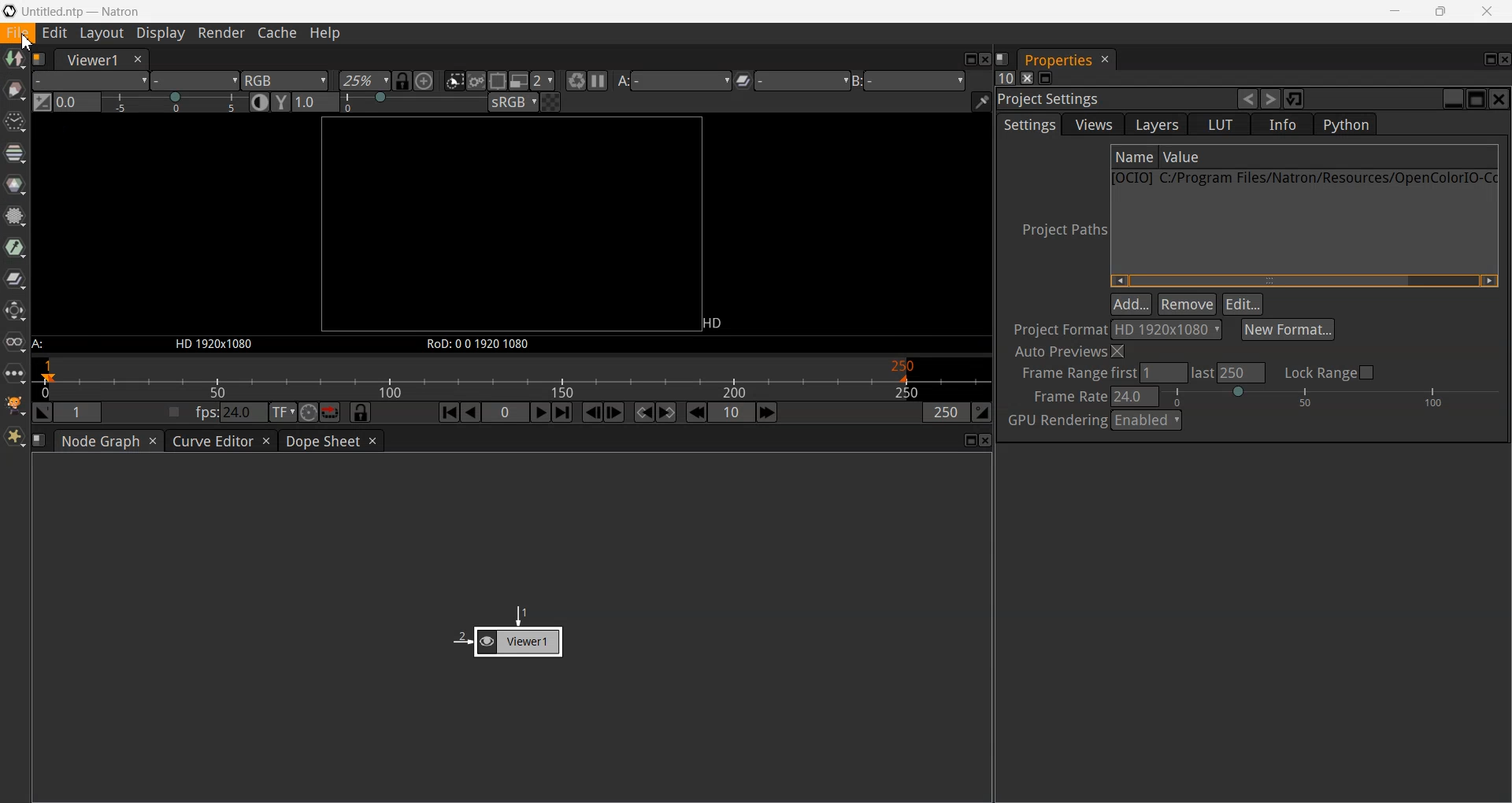 This screenshot has height=803, width=1512. Describe the element at coordinates (1249, 98) in the screenshot. I see `Undo` at that location.